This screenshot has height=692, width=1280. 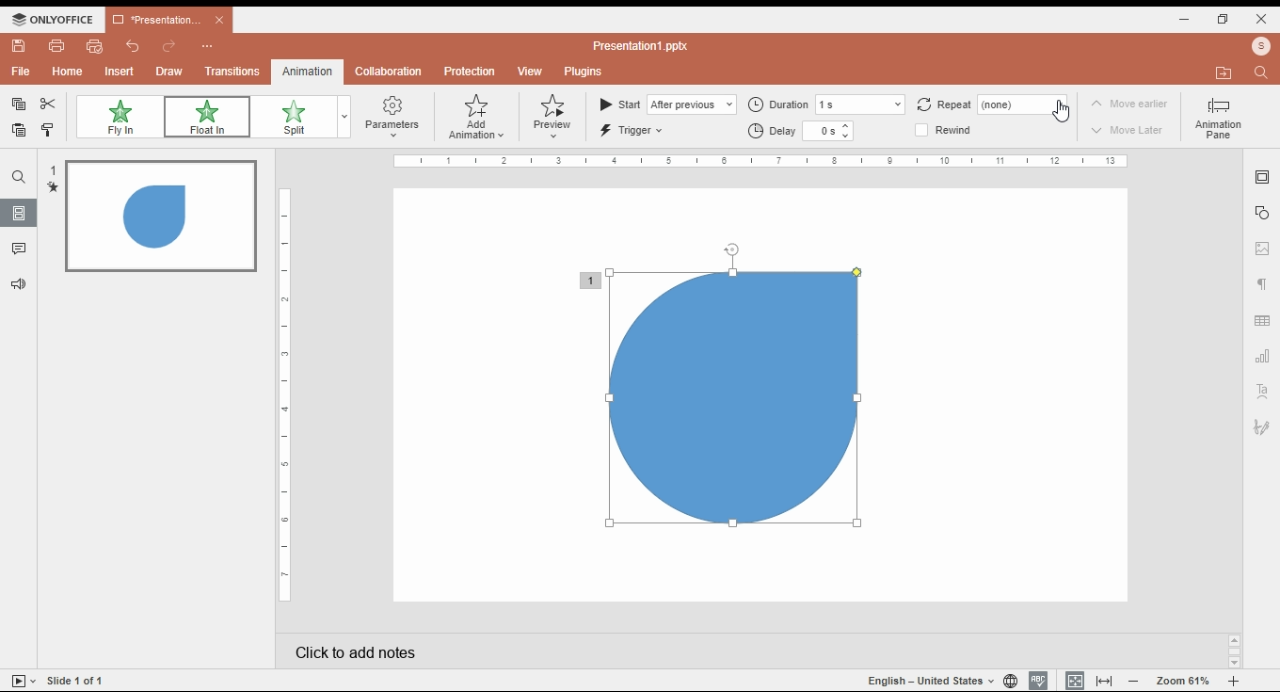 What do you see at coordinates (586, 72) in the screenshot?
I see `plugins` at bounding box center [586, 72].